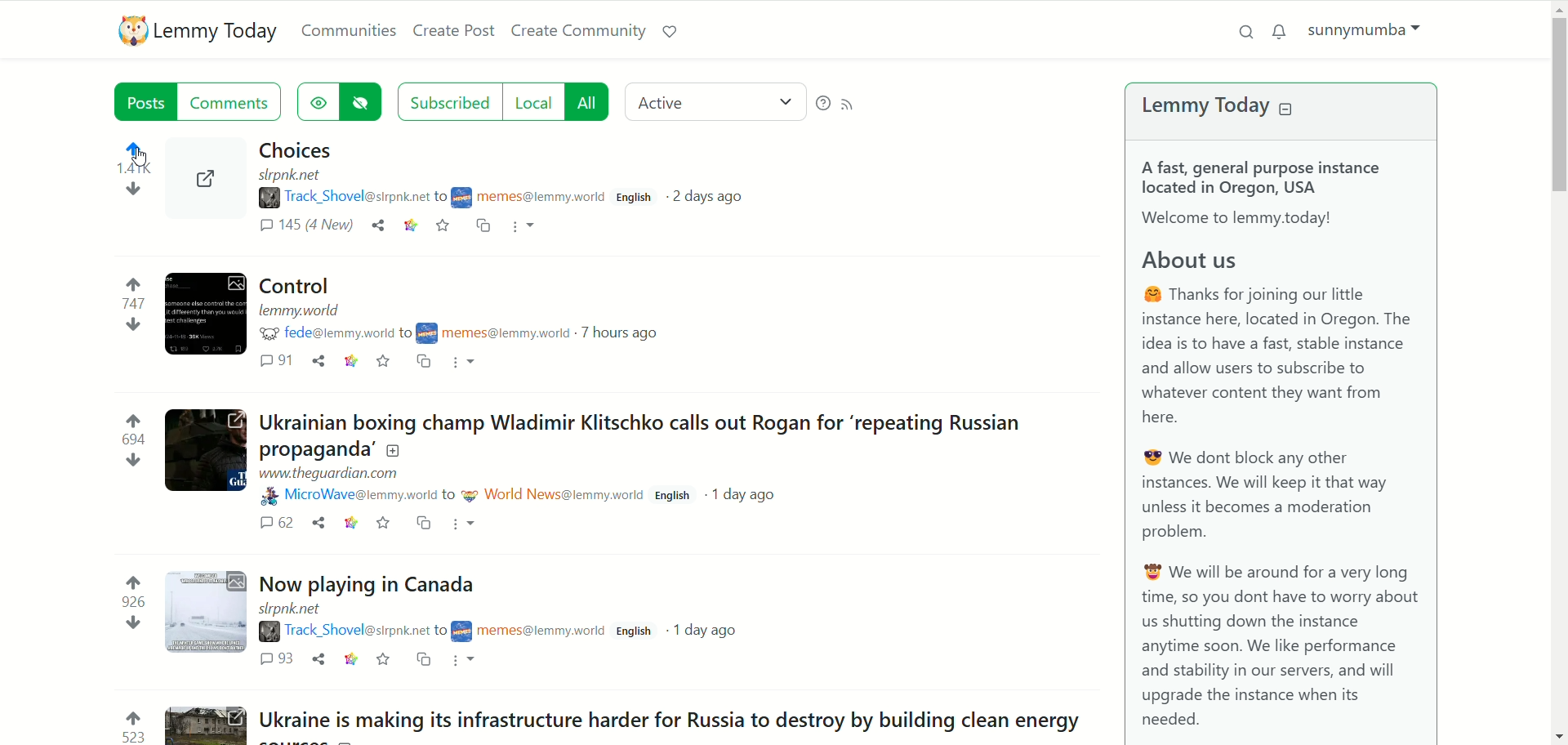 This screenshot has width=1568, height=745. I want to click on username, so click(338, 332).